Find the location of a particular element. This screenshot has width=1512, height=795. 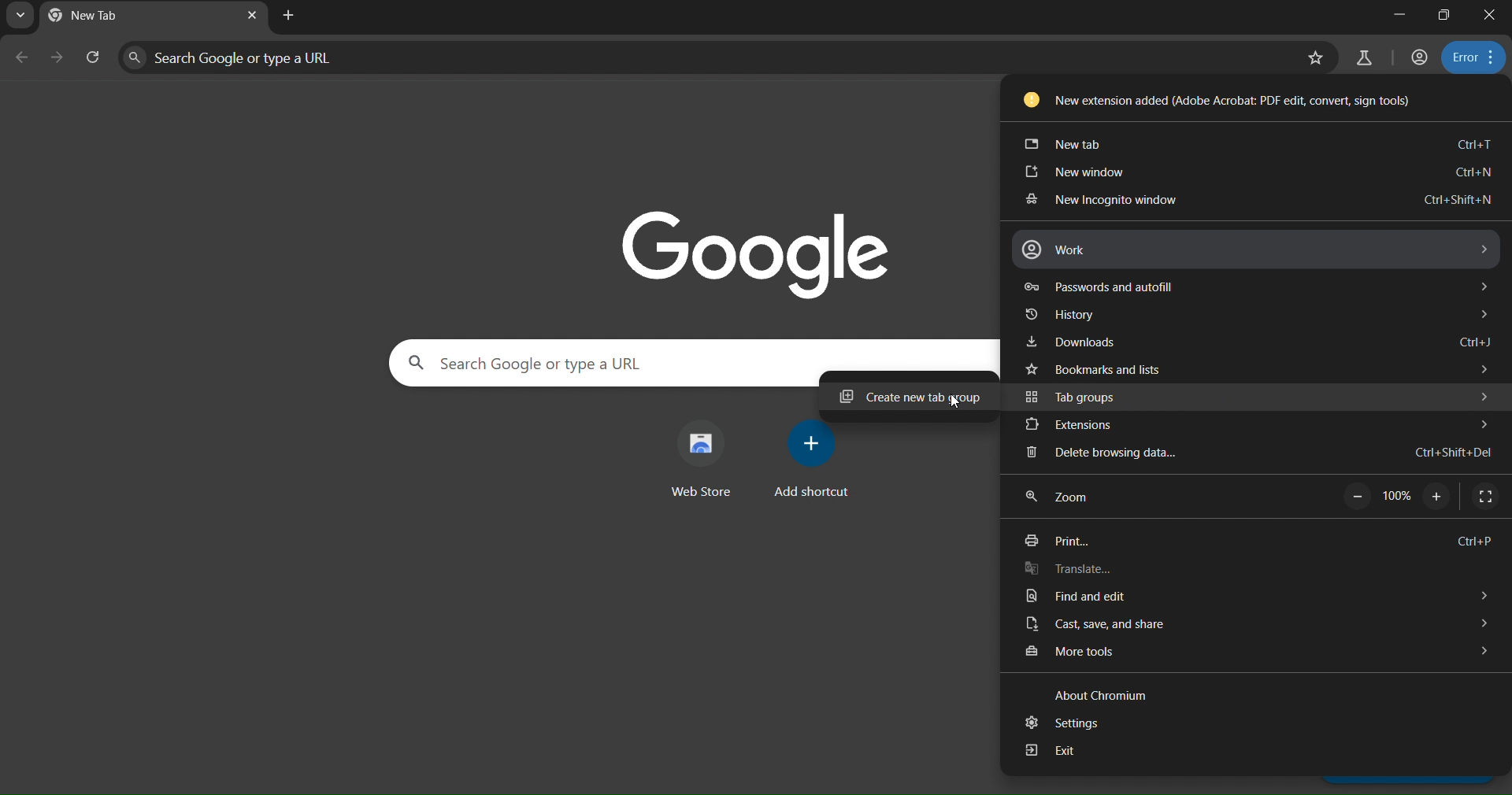

cast save and share is located at coordinates (1254, 623).